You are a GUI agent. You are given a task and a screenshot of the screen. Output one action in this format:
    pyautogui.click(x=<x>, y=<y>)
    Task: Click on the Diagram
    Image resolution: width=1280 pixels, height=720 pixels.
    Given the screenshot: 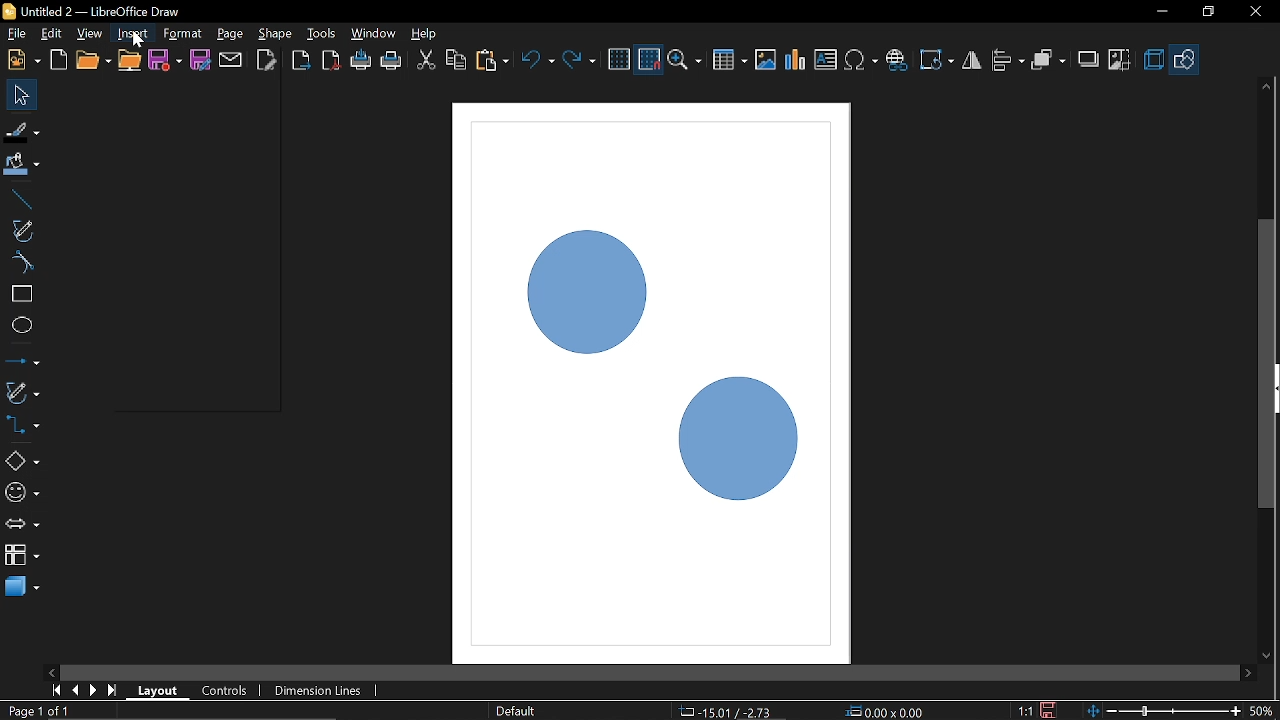 What is the action you would take?
    pyautogui.click(x=634, y=344)
    